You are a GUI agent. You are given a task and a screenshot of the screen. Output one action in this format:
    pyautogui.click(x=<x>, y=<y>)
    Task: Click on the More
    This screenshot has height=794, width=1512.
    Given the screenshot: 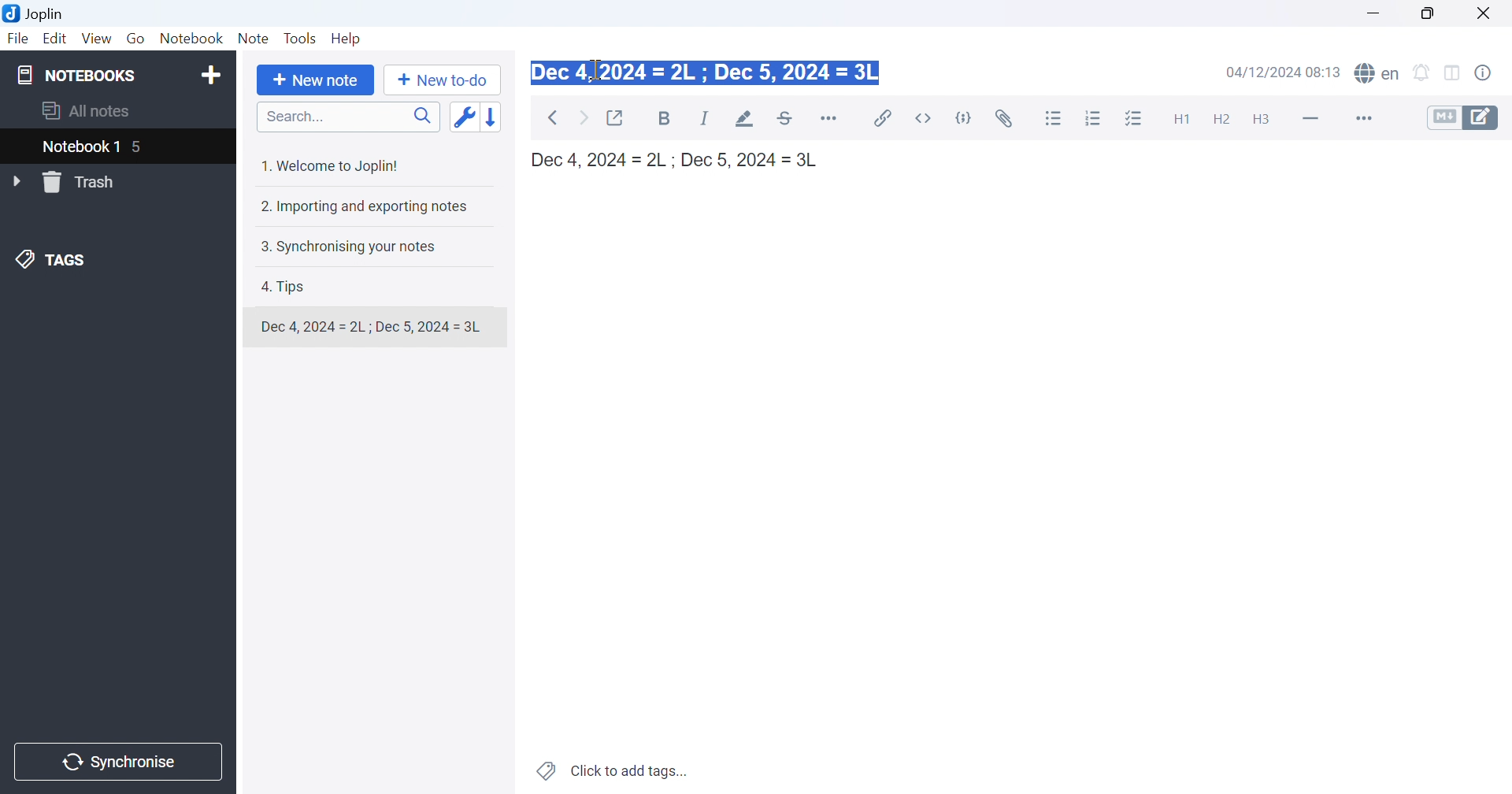 What is the action you would take?
    pyautogui.click(x=1357, y=118)
    